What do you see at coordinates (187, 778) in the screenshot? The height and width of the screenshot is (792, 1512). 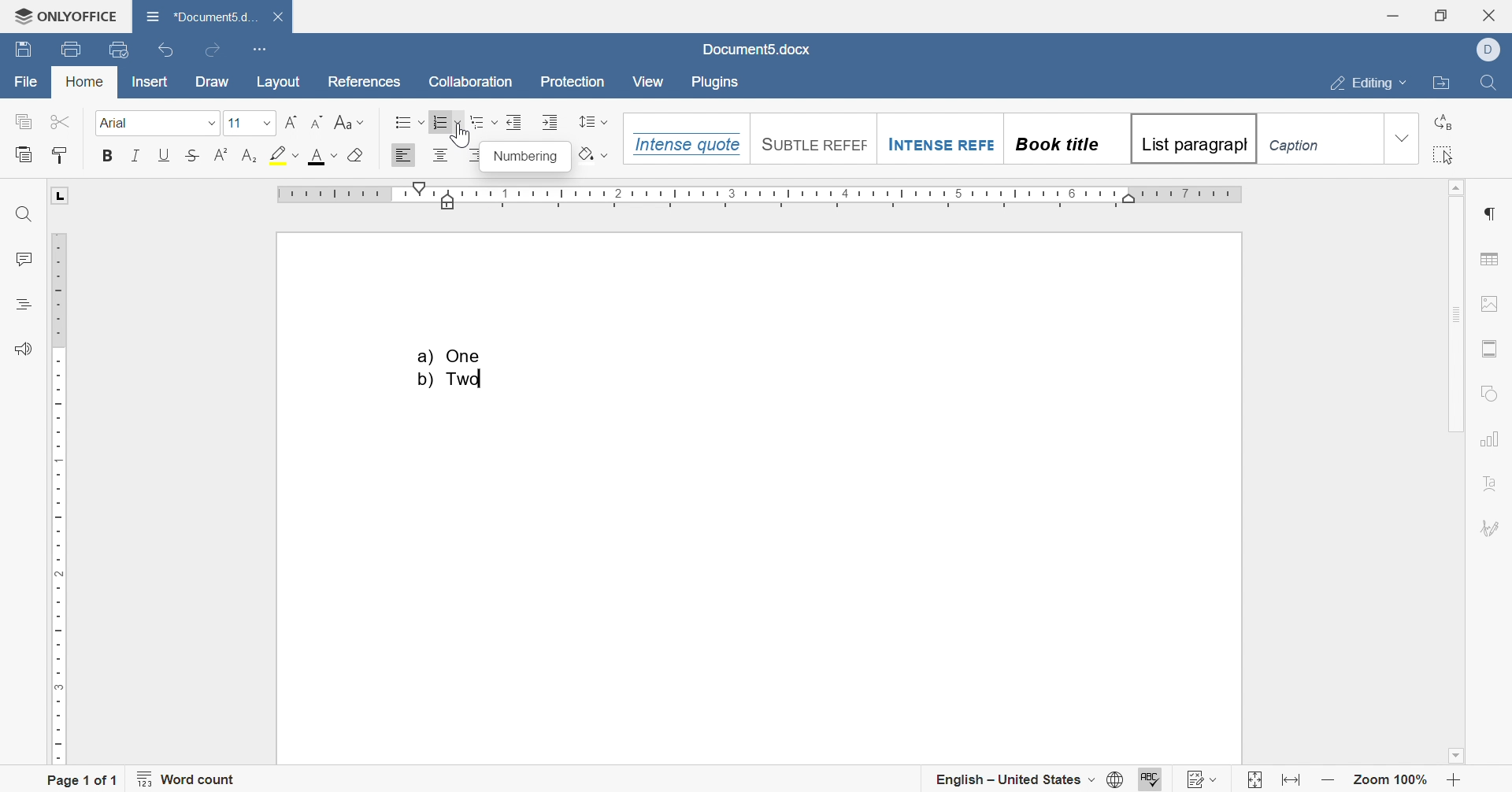 I see `word count` at bounding box center [187, 778].